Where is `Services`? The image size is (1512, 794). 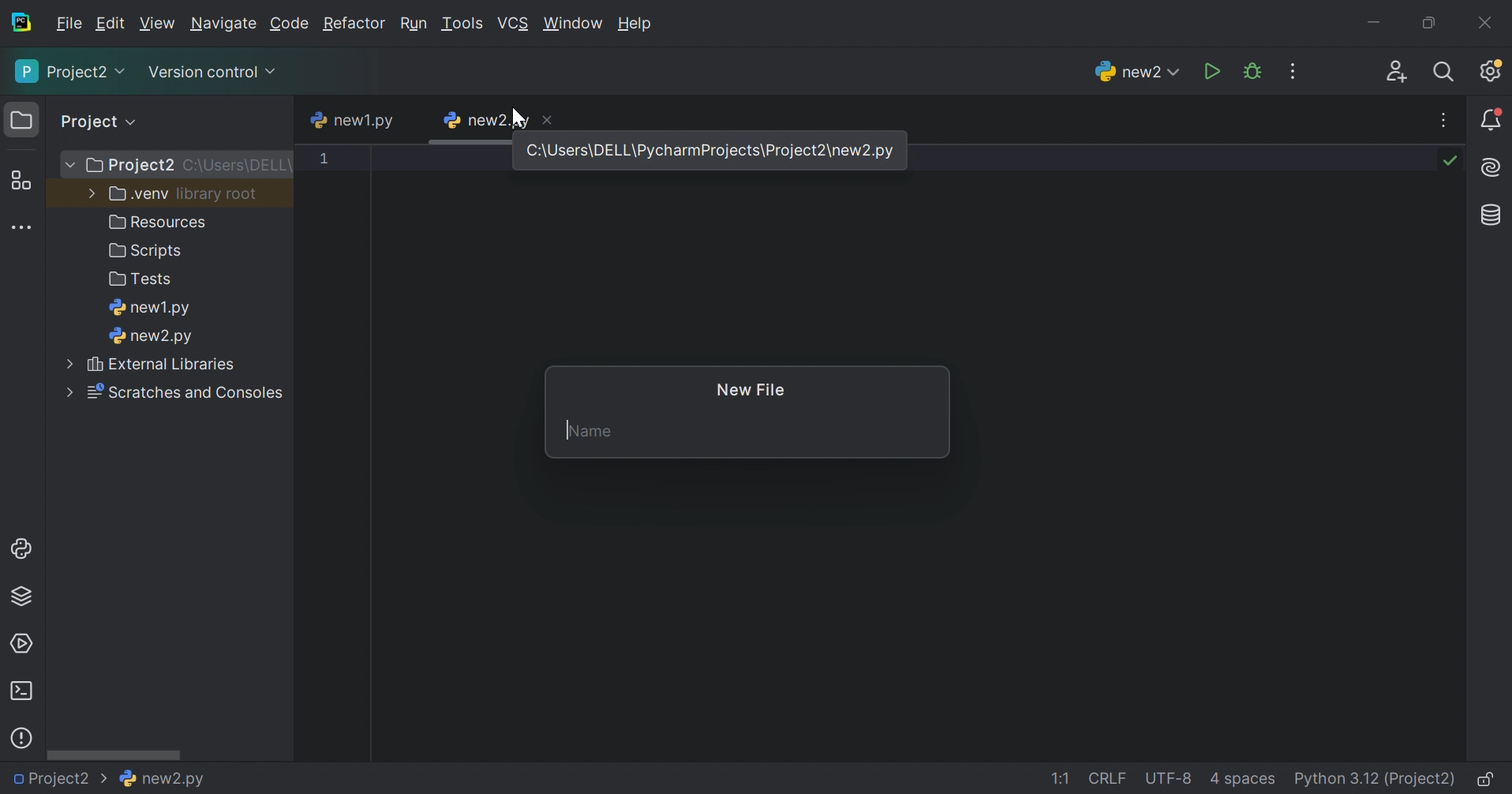 Services is located at coordinates (23, 642).